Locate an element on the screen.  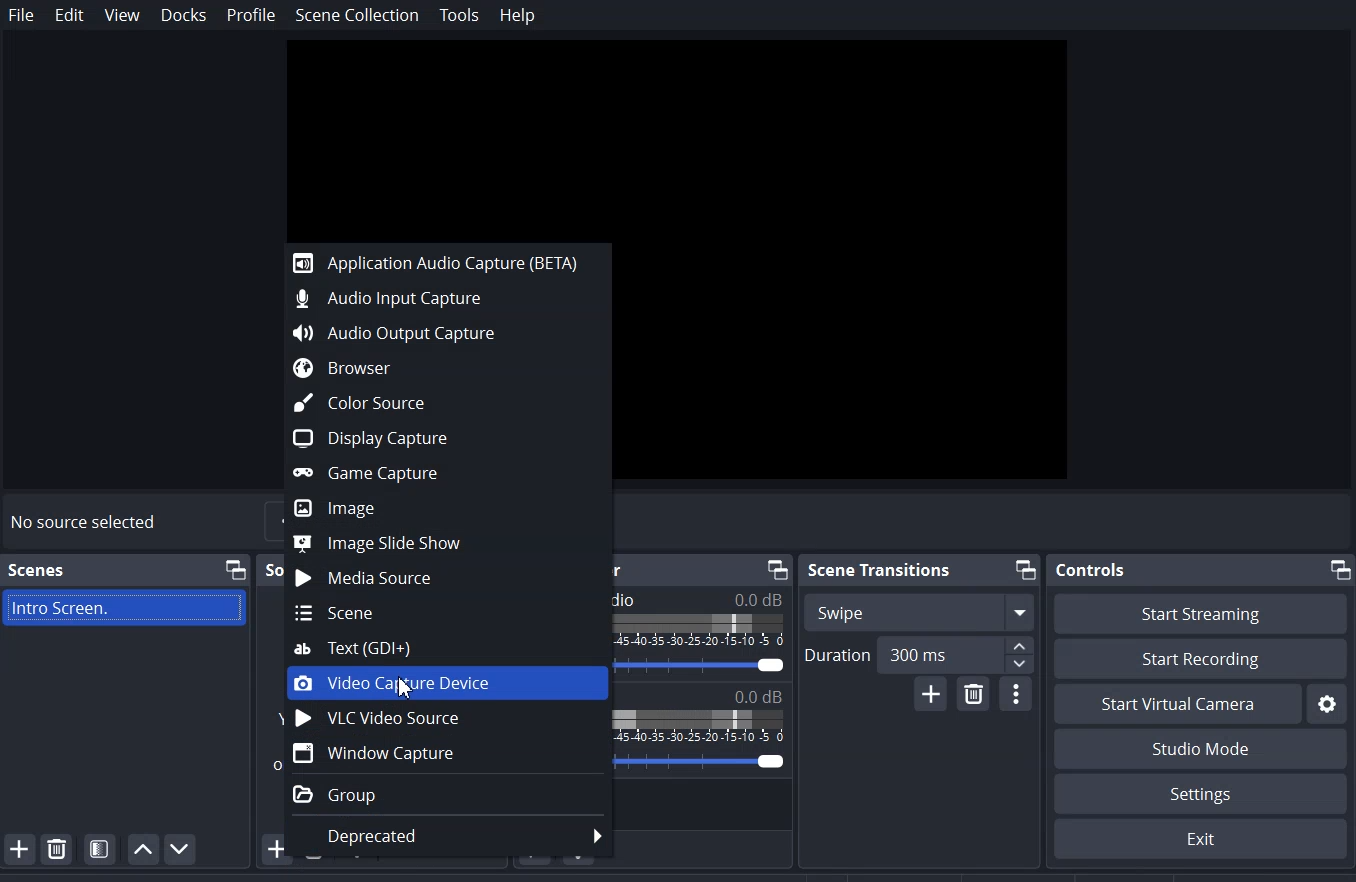
Group is located at coordinates (438, 794).